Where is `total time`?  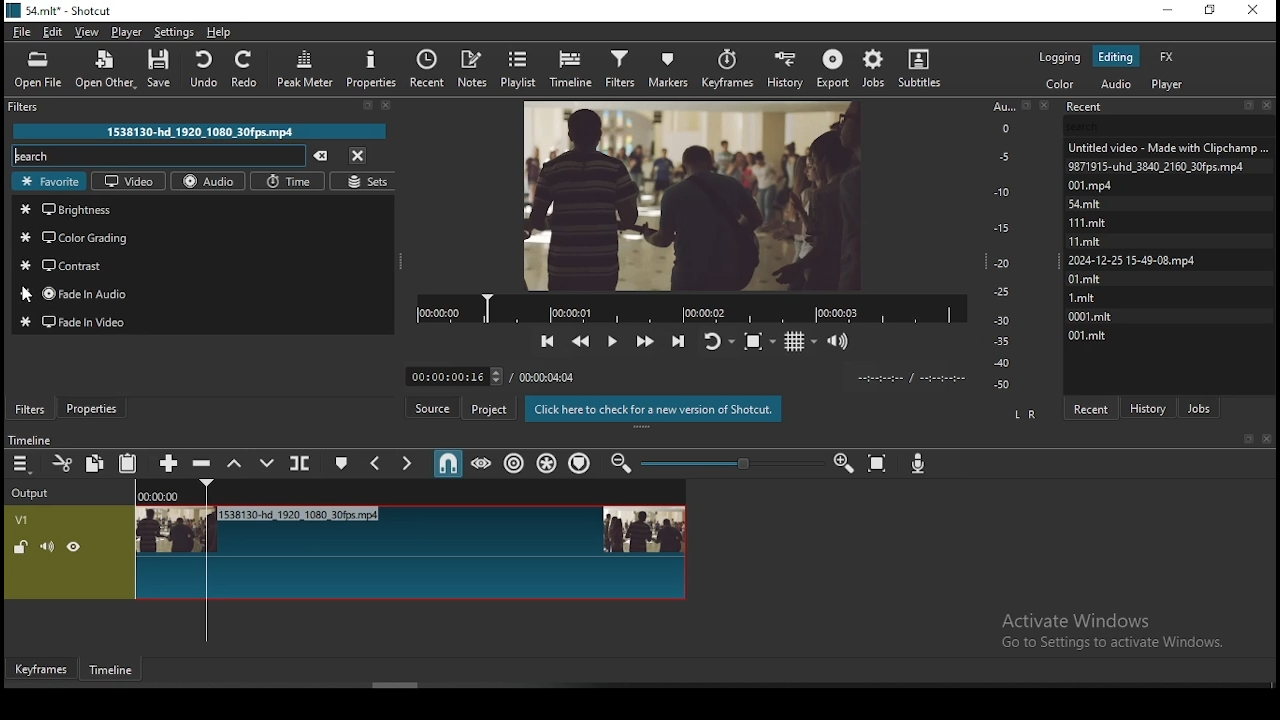
total time is located at coordinates (547, 376).